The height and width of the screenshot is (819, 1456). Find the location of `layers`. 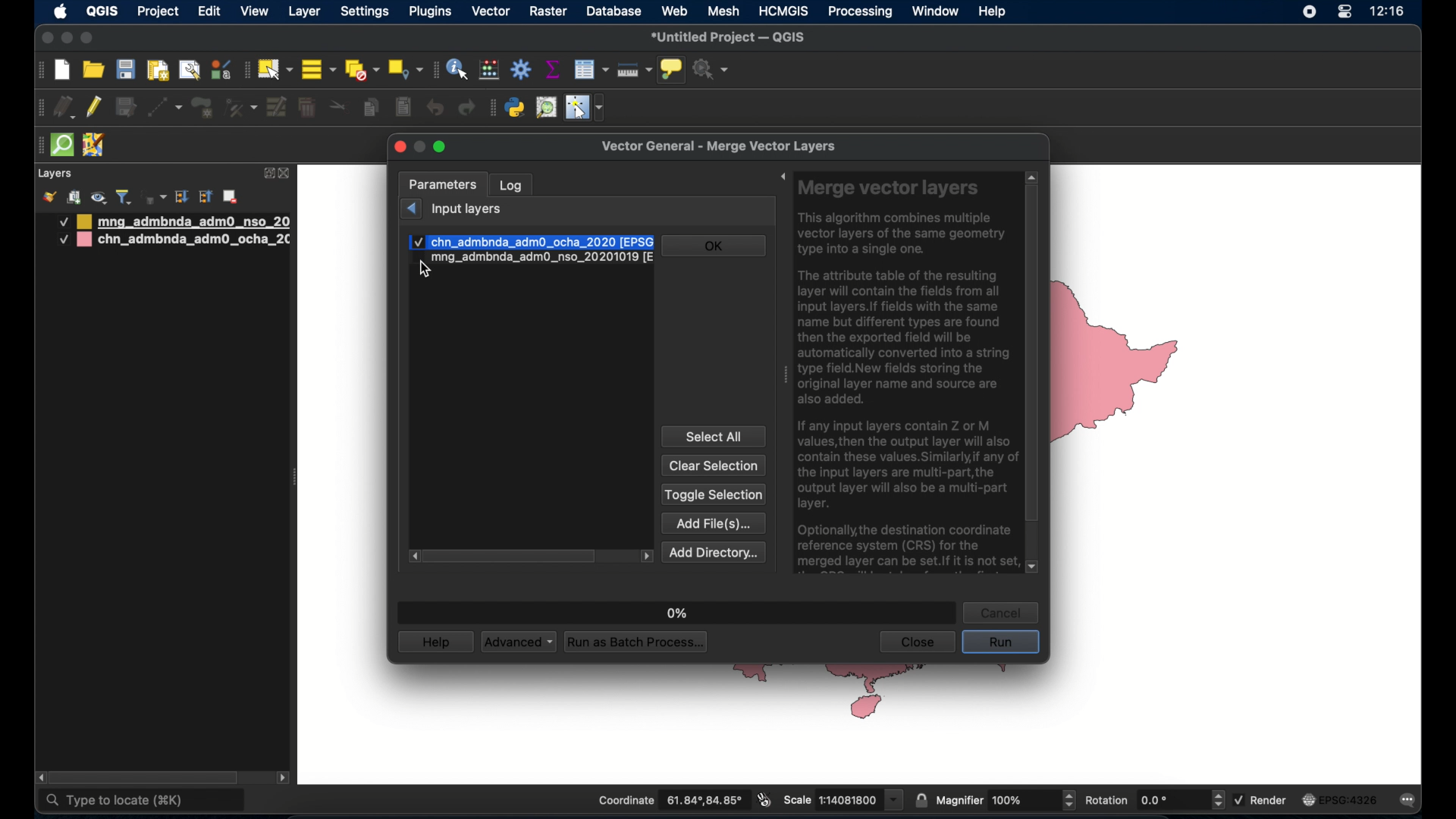

layers is located at coordinates (55, 174).